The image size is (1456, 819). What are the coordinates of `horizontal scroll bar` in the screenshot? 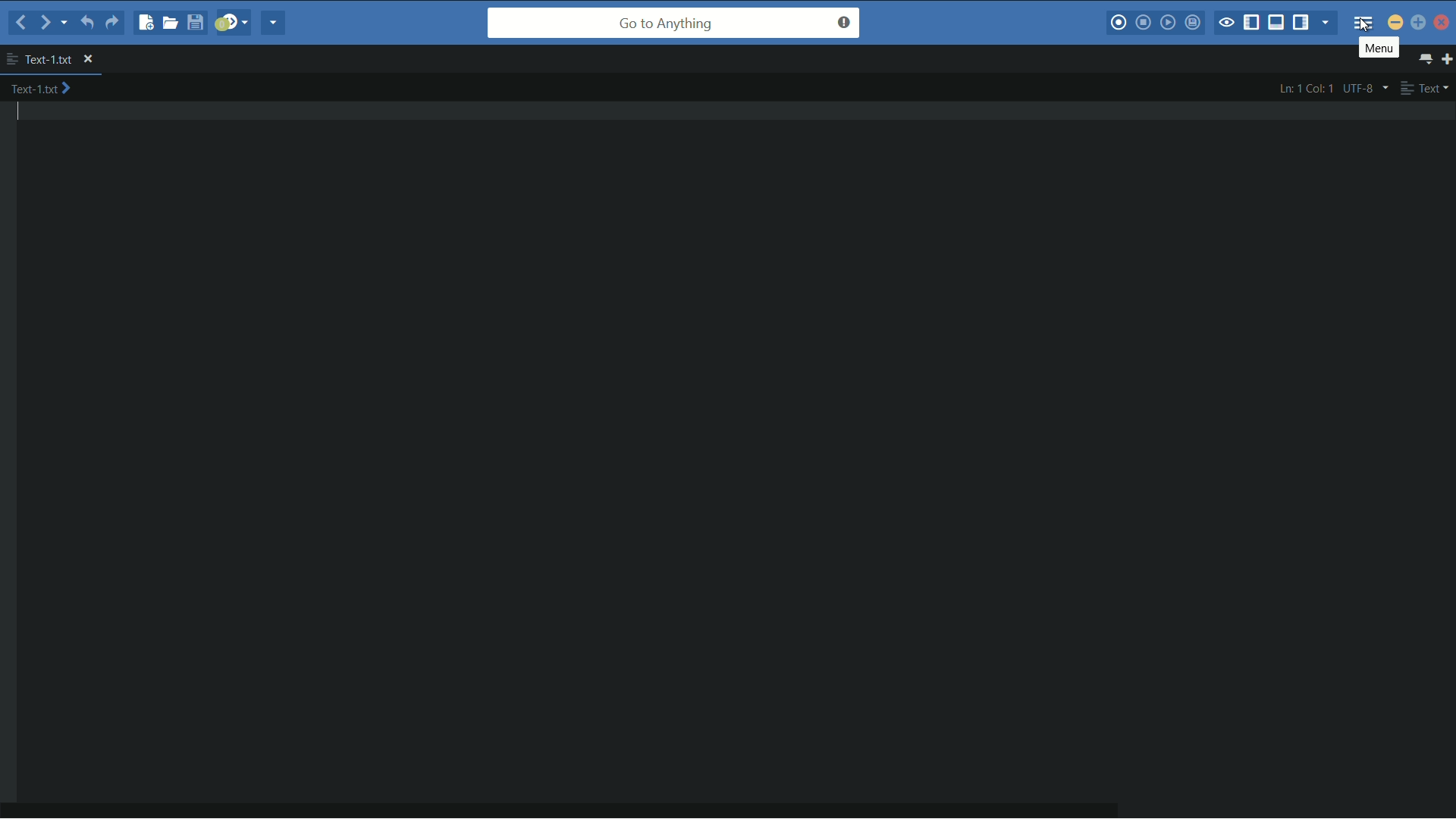 It's located at (543, 805).